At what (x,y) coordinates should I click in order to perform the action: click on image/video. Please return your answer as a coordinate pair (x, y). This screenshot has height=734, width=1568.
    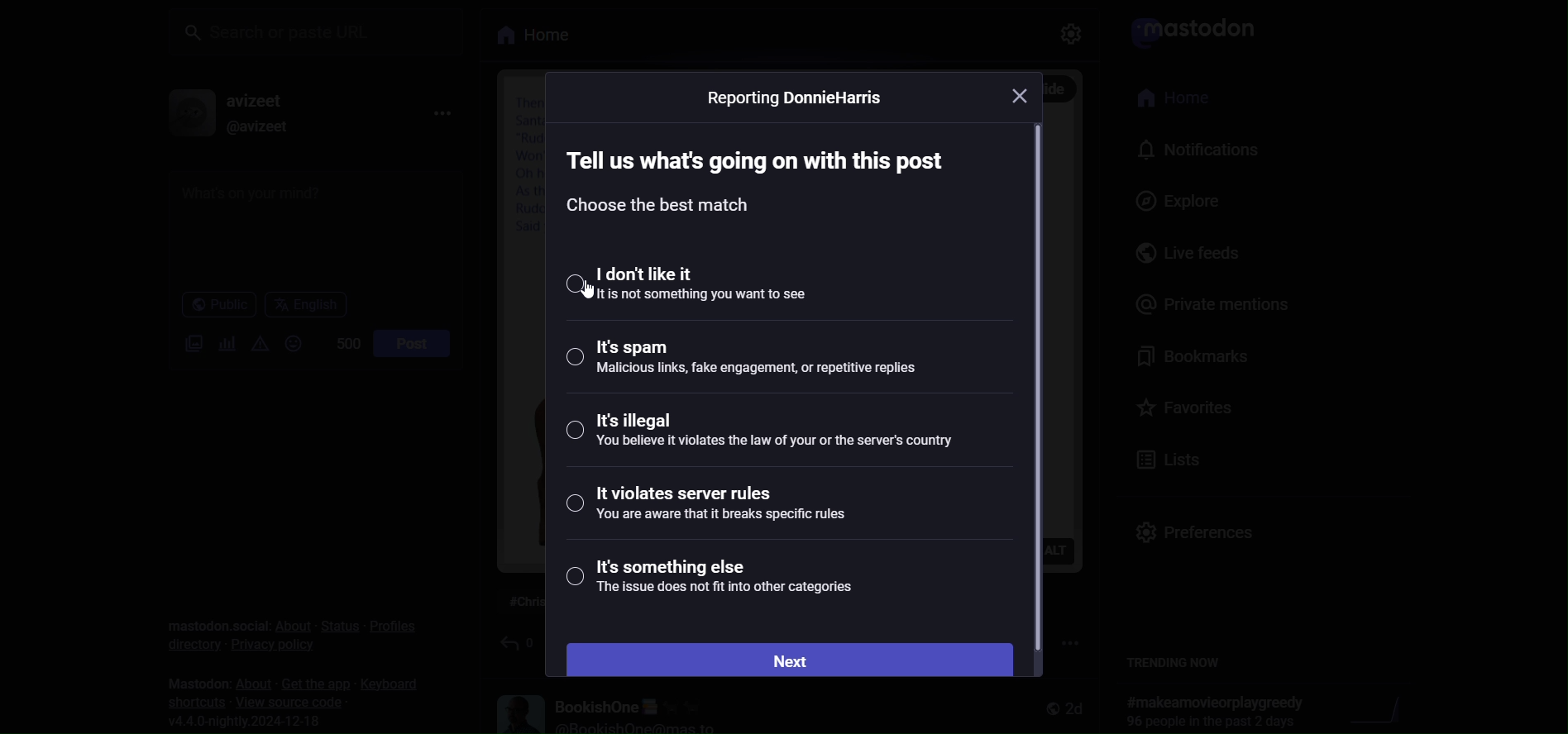
    Looking at the image, I should click on (185, 345).